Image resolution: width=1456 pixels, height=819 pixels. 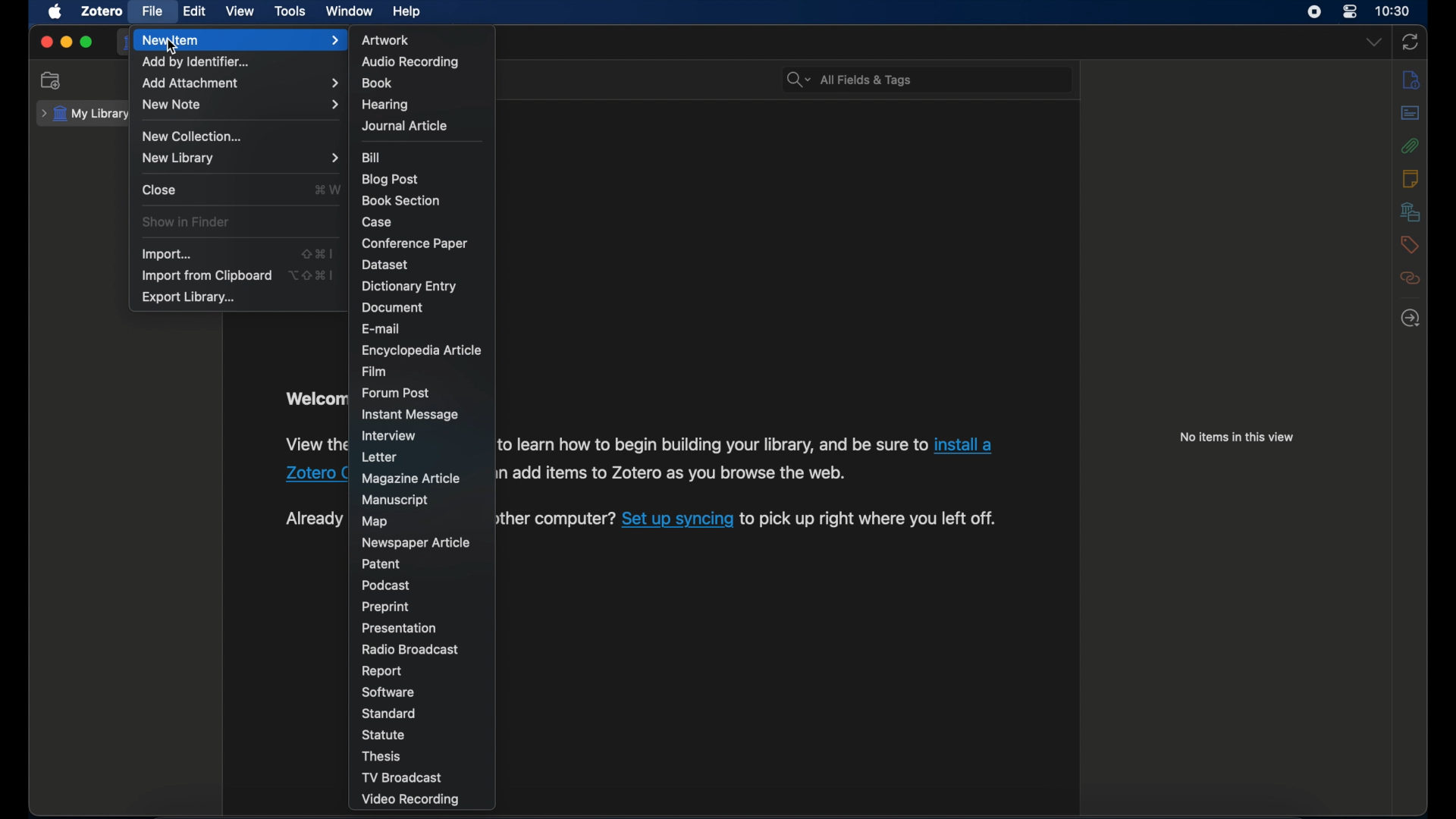 I want to click on zotero, so click(x=316, y=475).